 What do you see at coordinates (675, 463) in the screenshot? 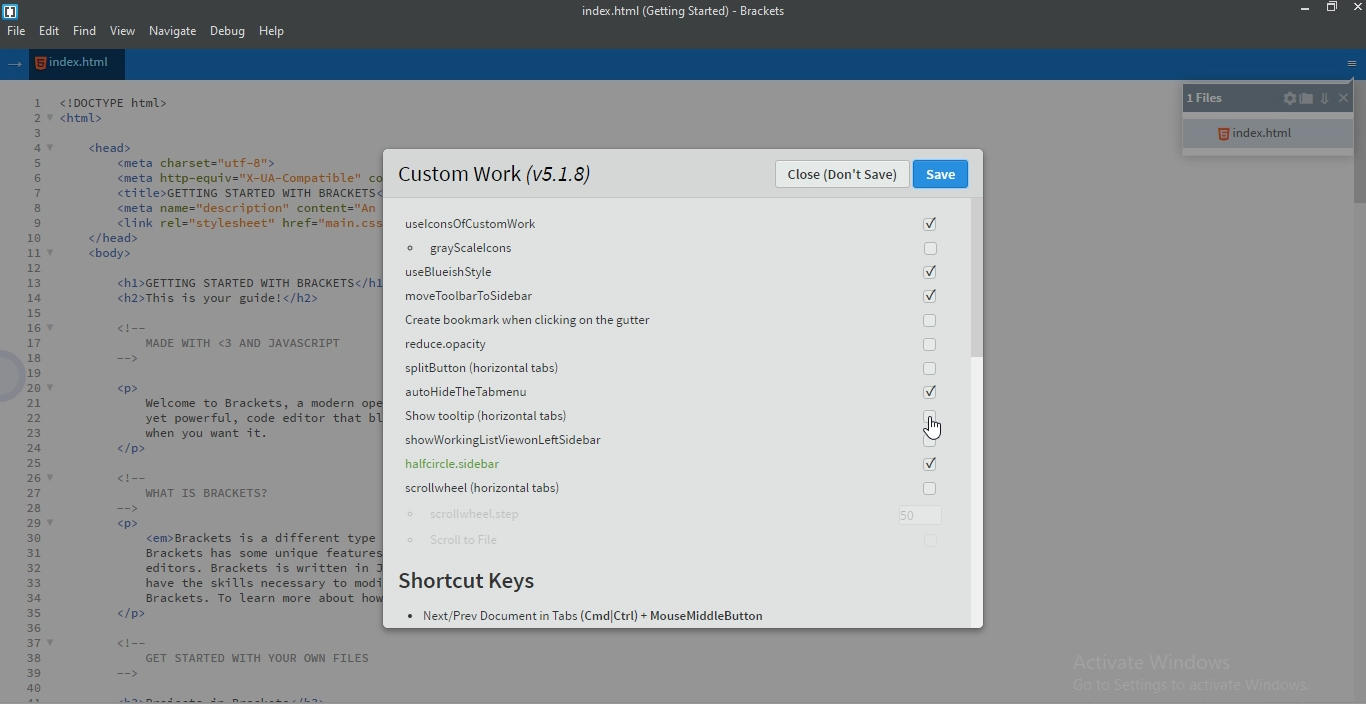
I see `halfcircle.sidebar` at bounding box center [675, 463].